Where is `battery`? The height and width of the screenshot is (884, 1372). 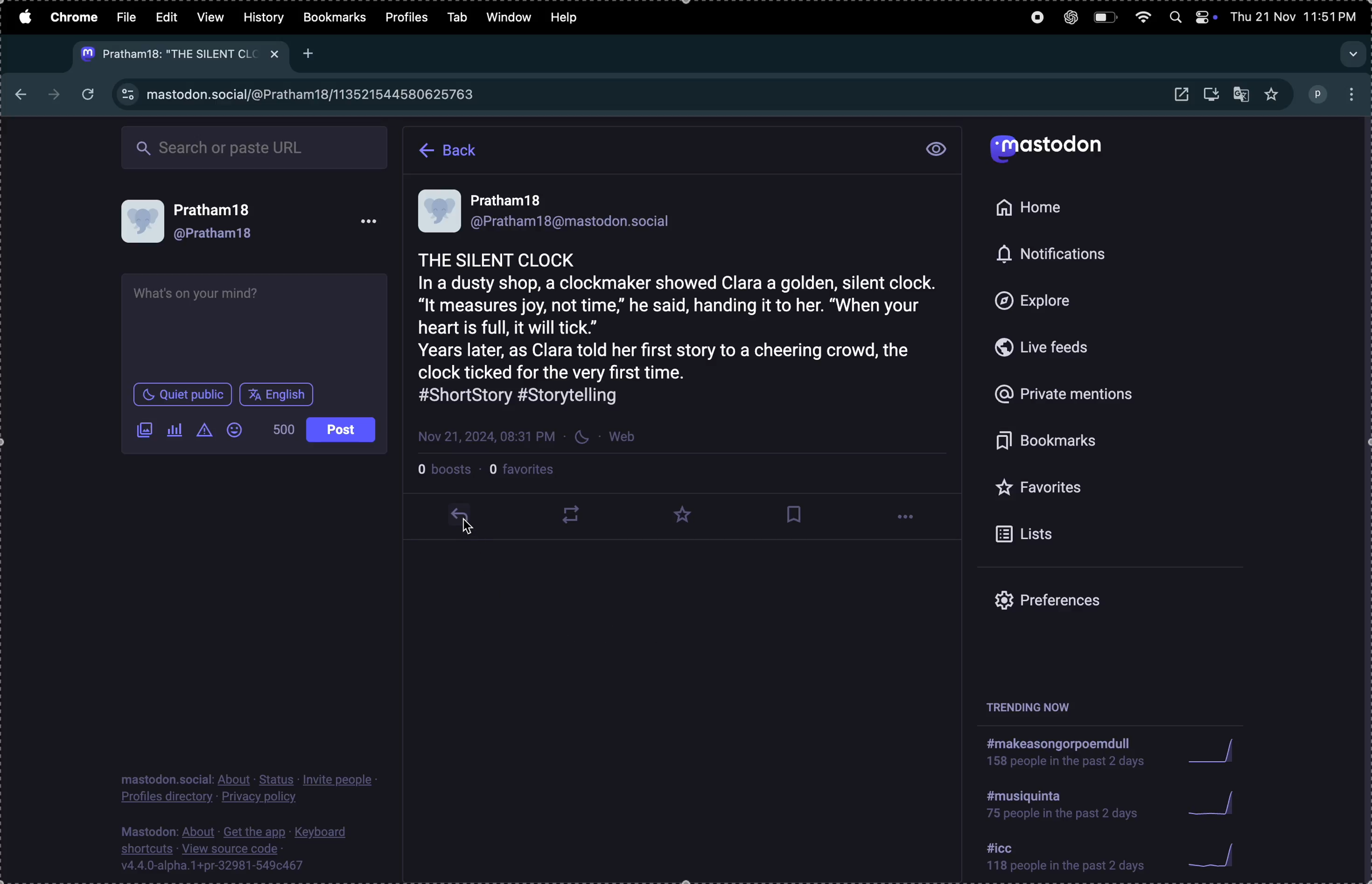
battery is located at coordinates (1107, 18).